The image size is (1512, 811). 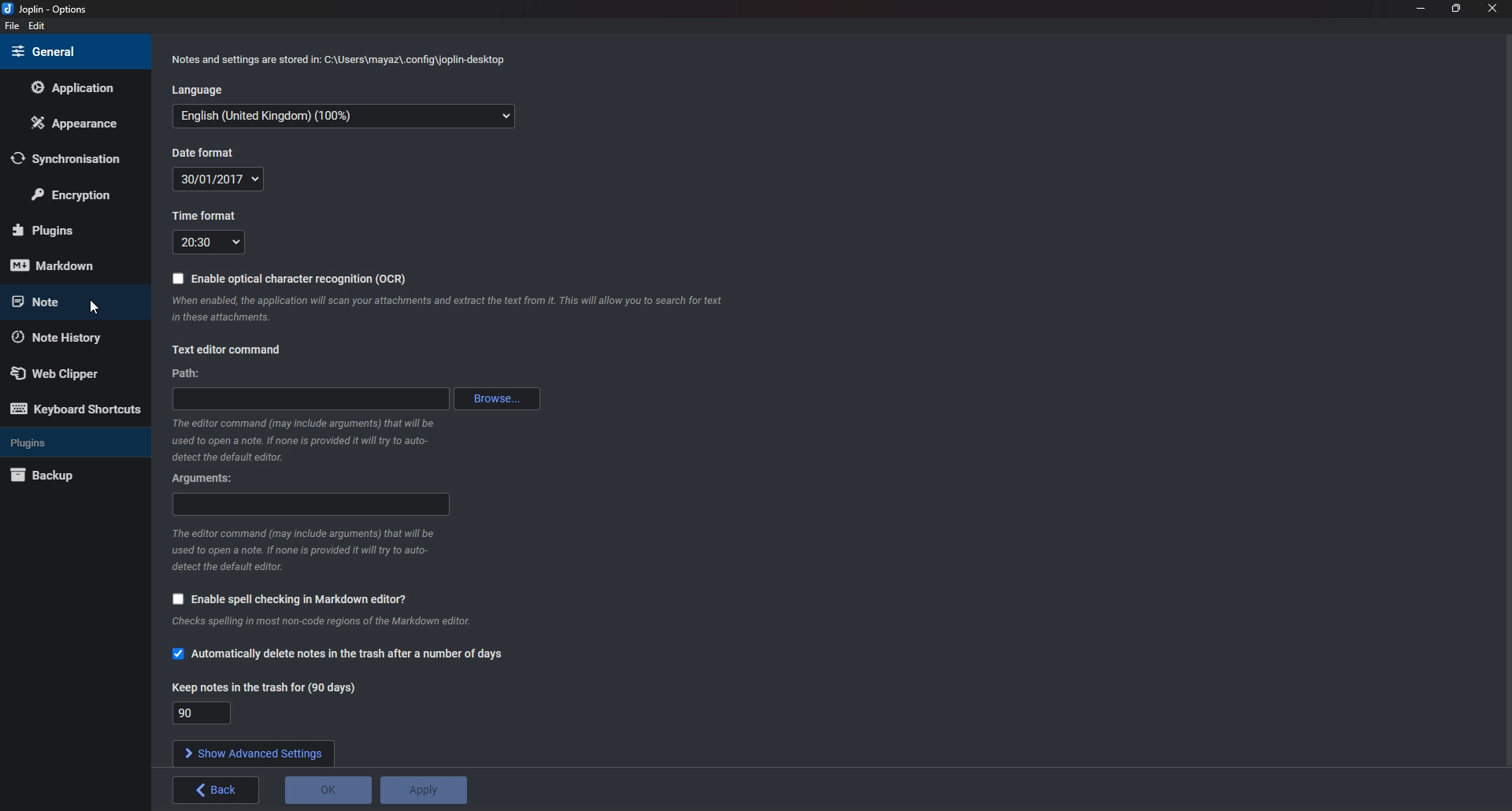 I want to click on O K, so click(x=326, y=790).